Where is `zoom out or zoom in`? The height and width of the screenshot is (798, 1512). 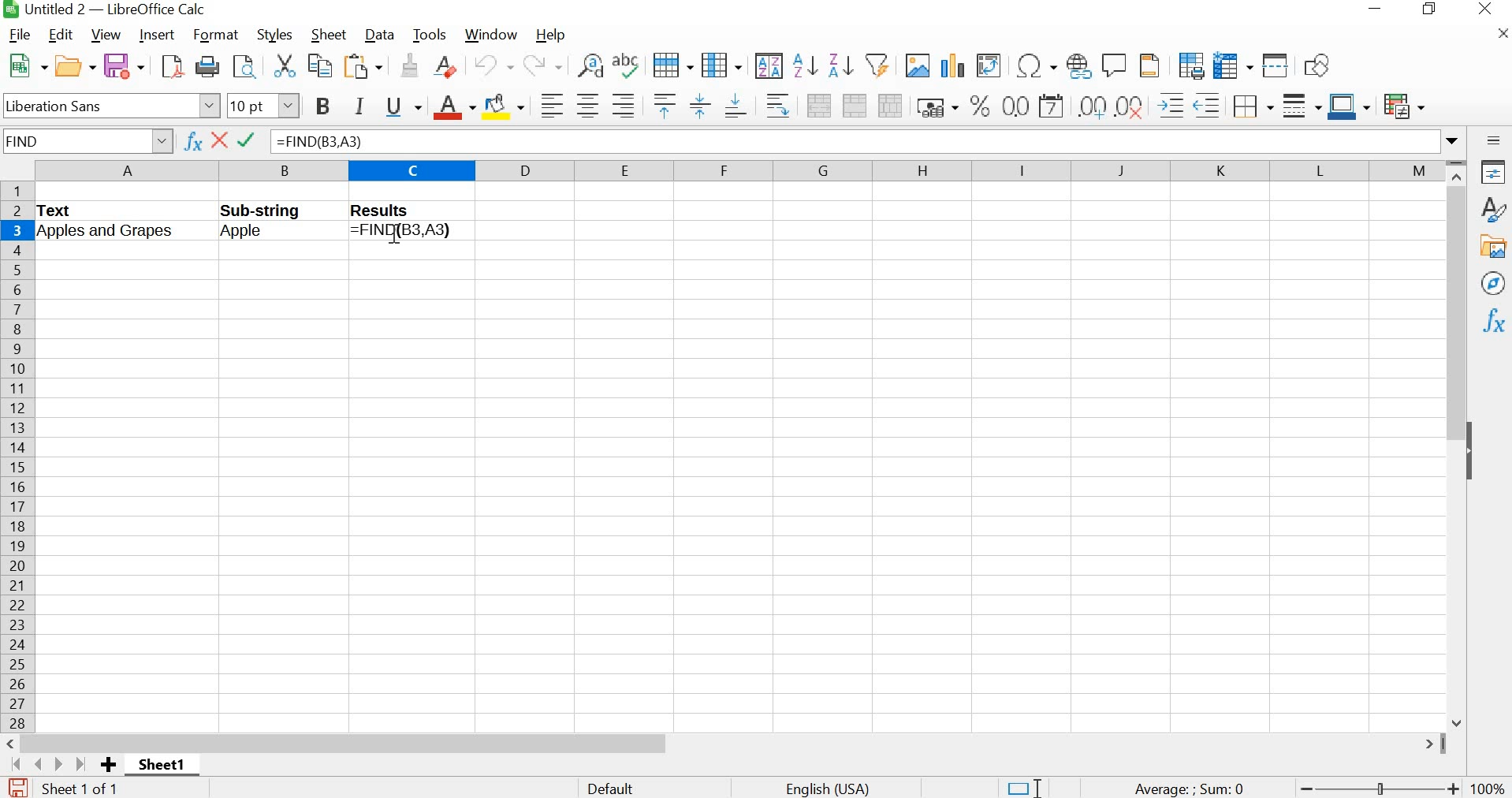 zoom out or zoom in is located at coordinates (1380, 787).